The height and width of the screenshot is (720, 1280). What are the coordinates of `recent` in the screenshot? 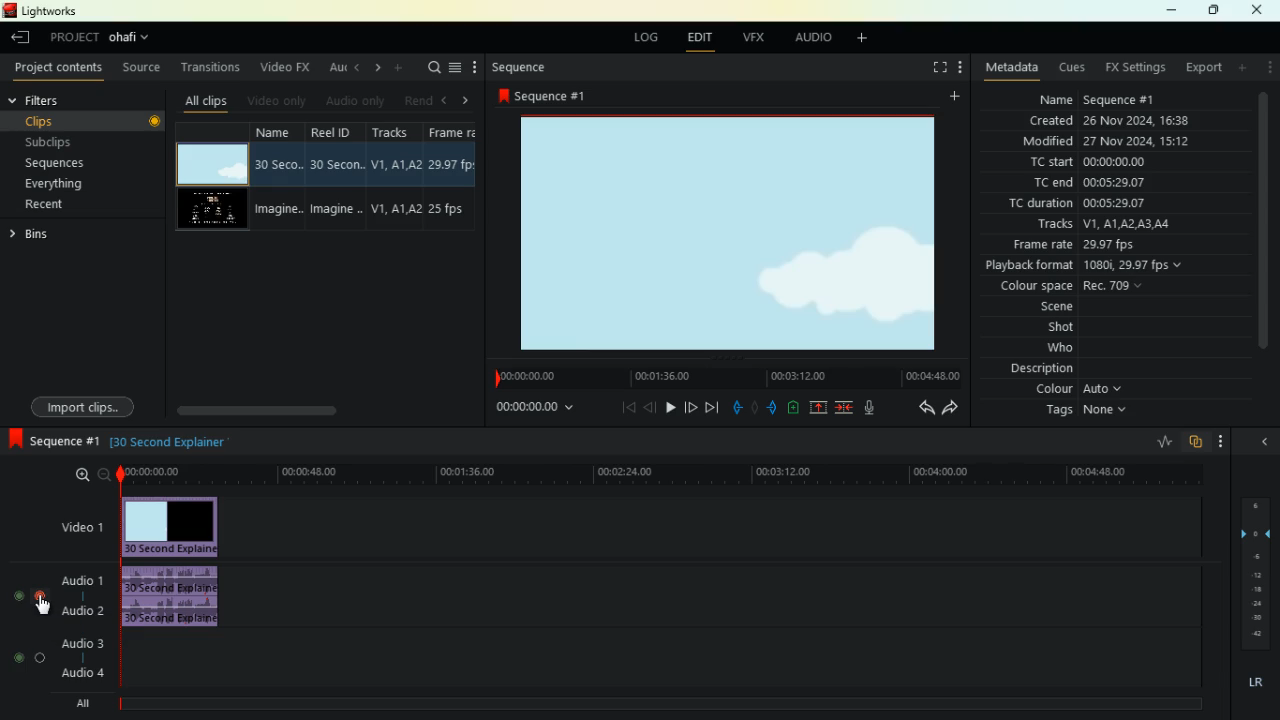 It's located at (47, 204).